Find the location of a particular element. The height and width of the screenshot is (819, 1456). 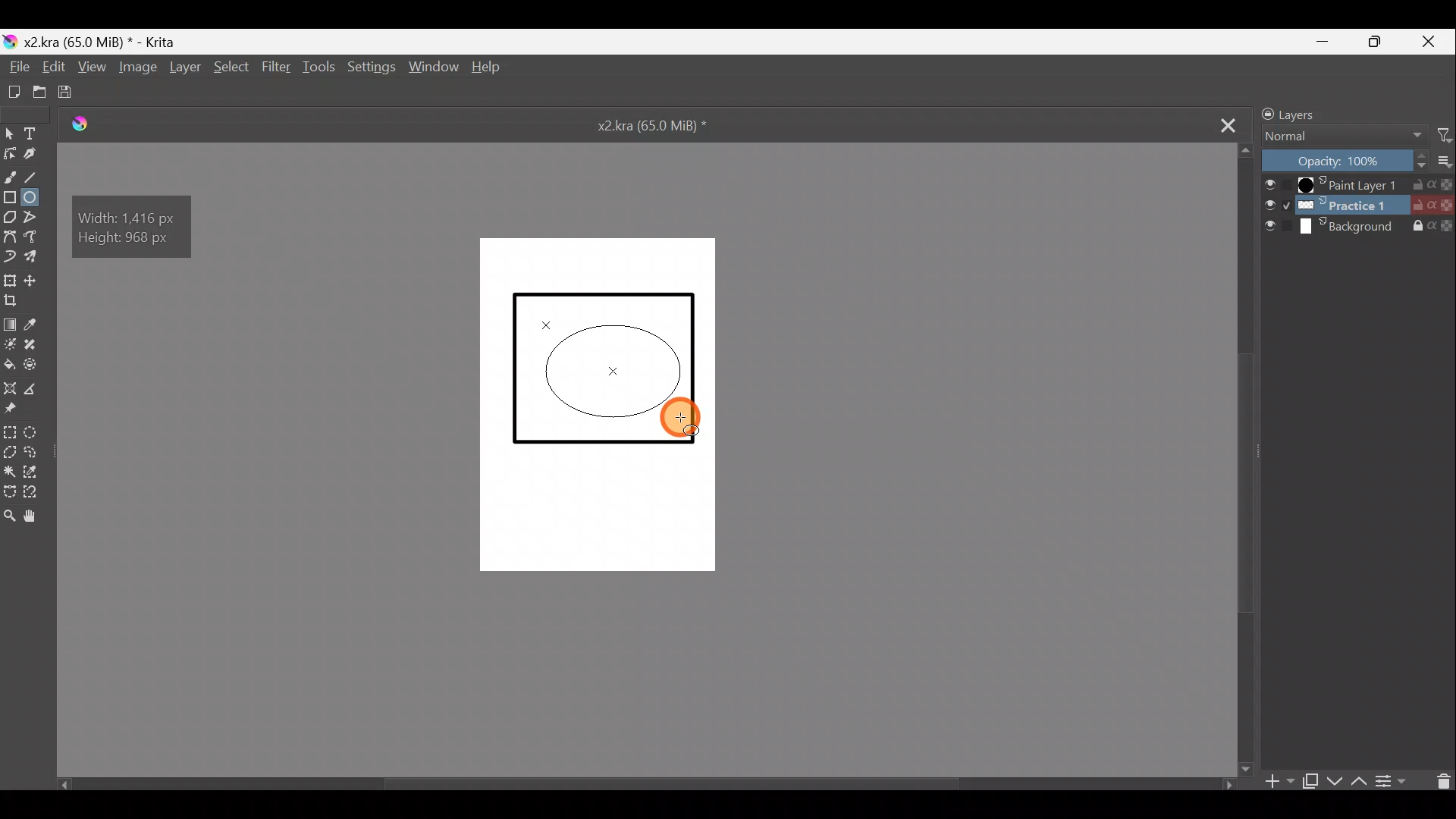

Contiguous selection tool is located at coordinates (9, 469).